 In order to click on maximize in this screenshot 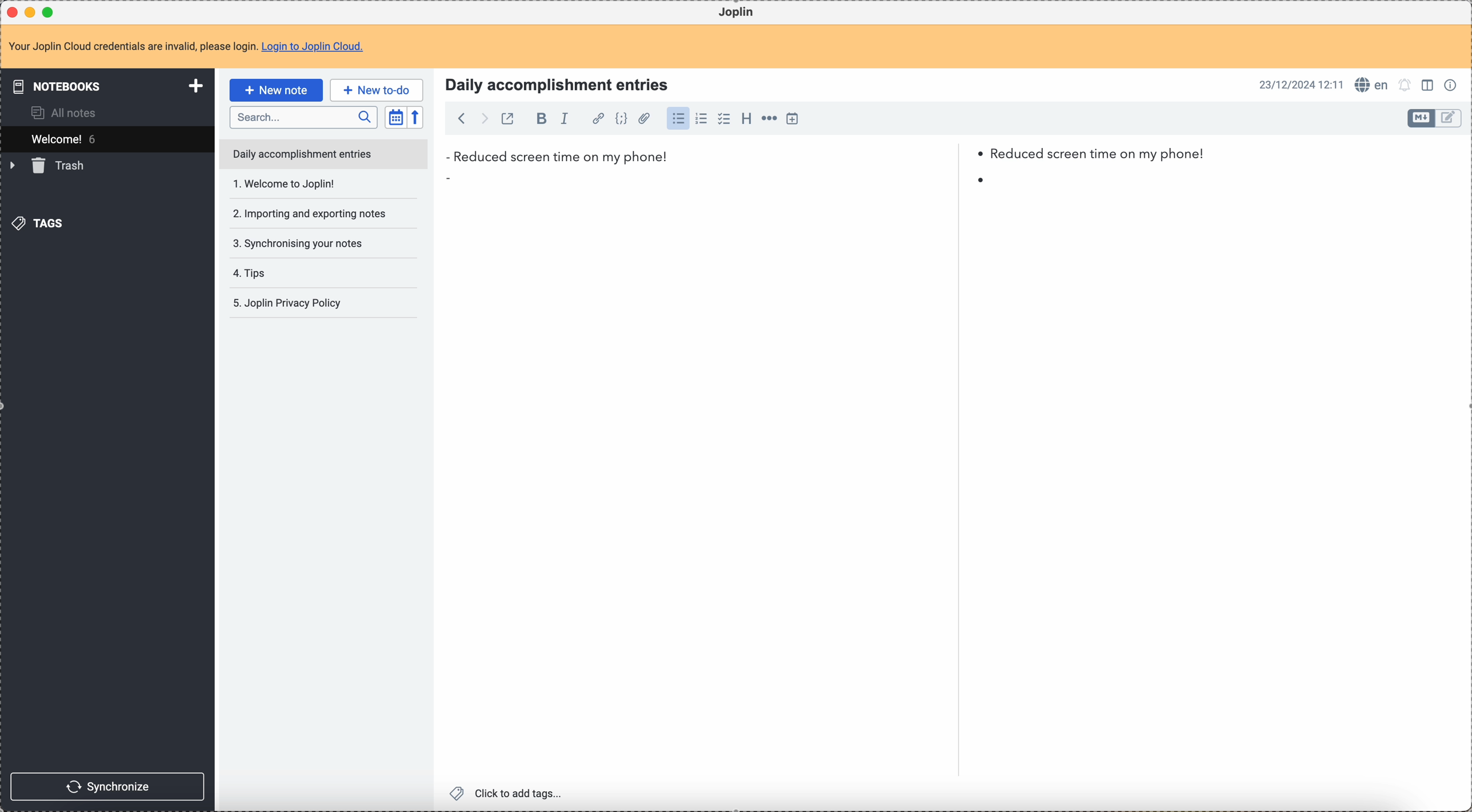, I will do `click(49, 11)`.